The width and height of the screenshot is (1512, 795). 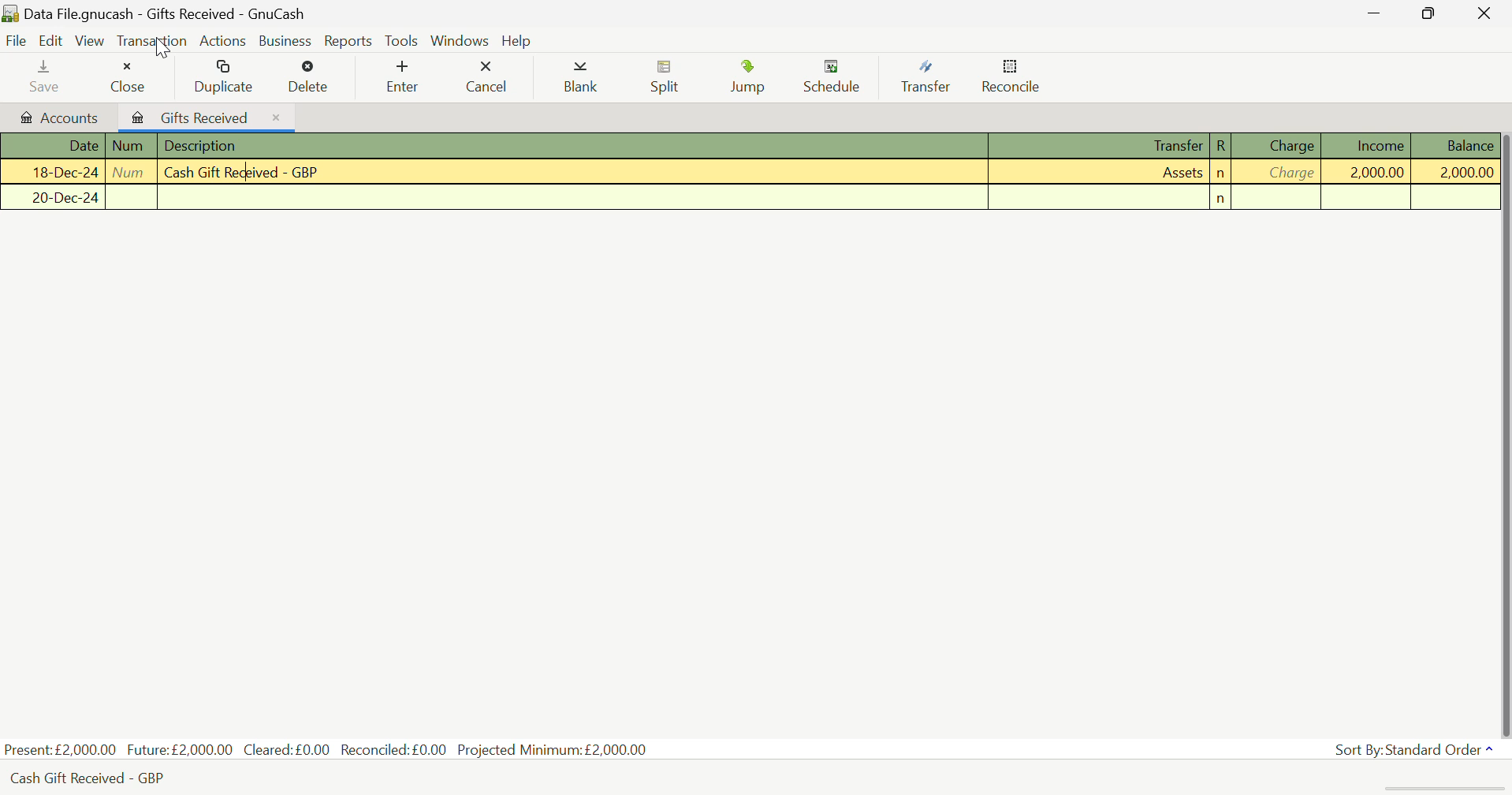 I want to click on Jump, so click(x=753, y=77).